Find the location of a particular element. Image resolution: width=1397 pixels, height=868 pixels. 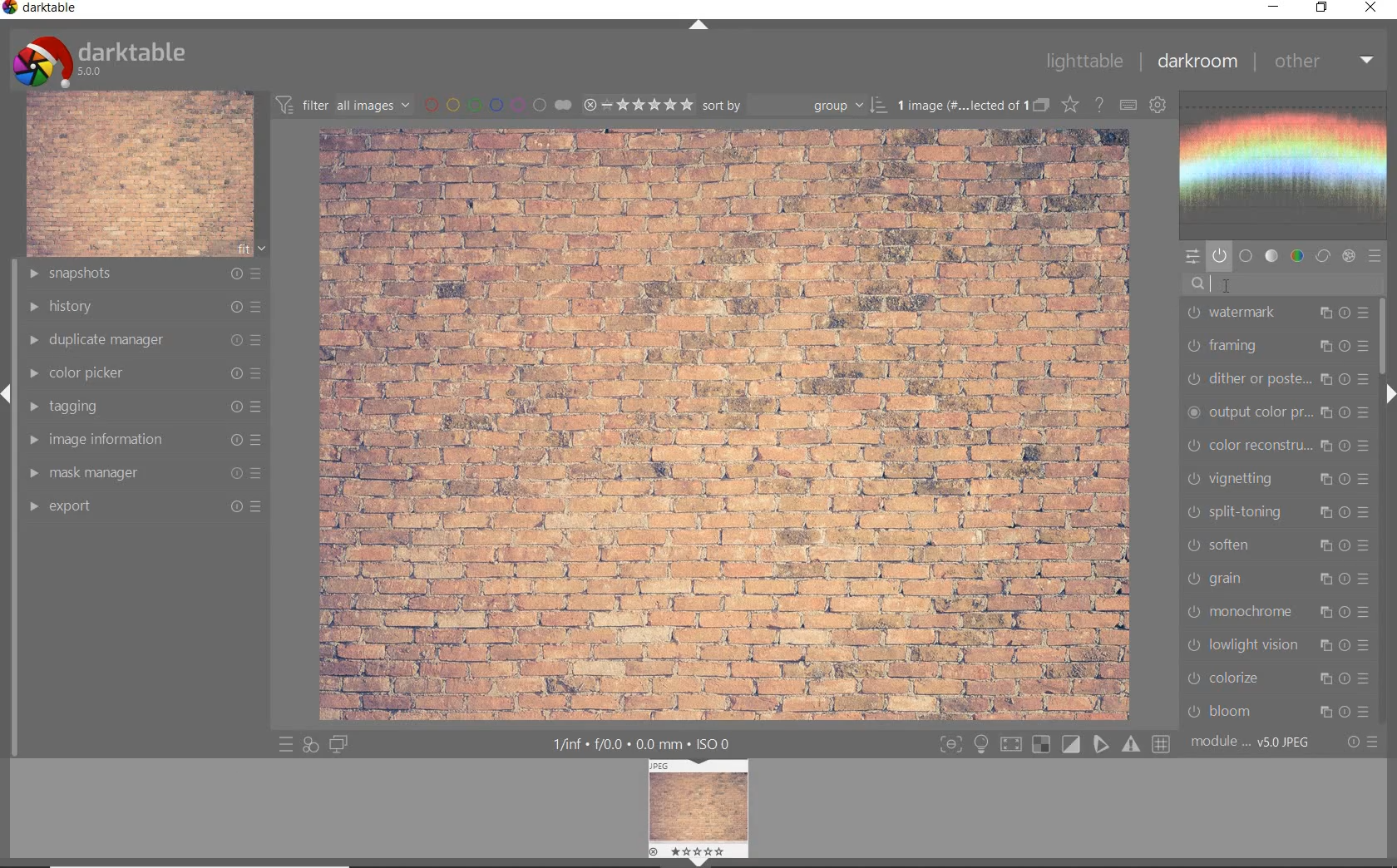

tagging is located at coordinates (147, 407).